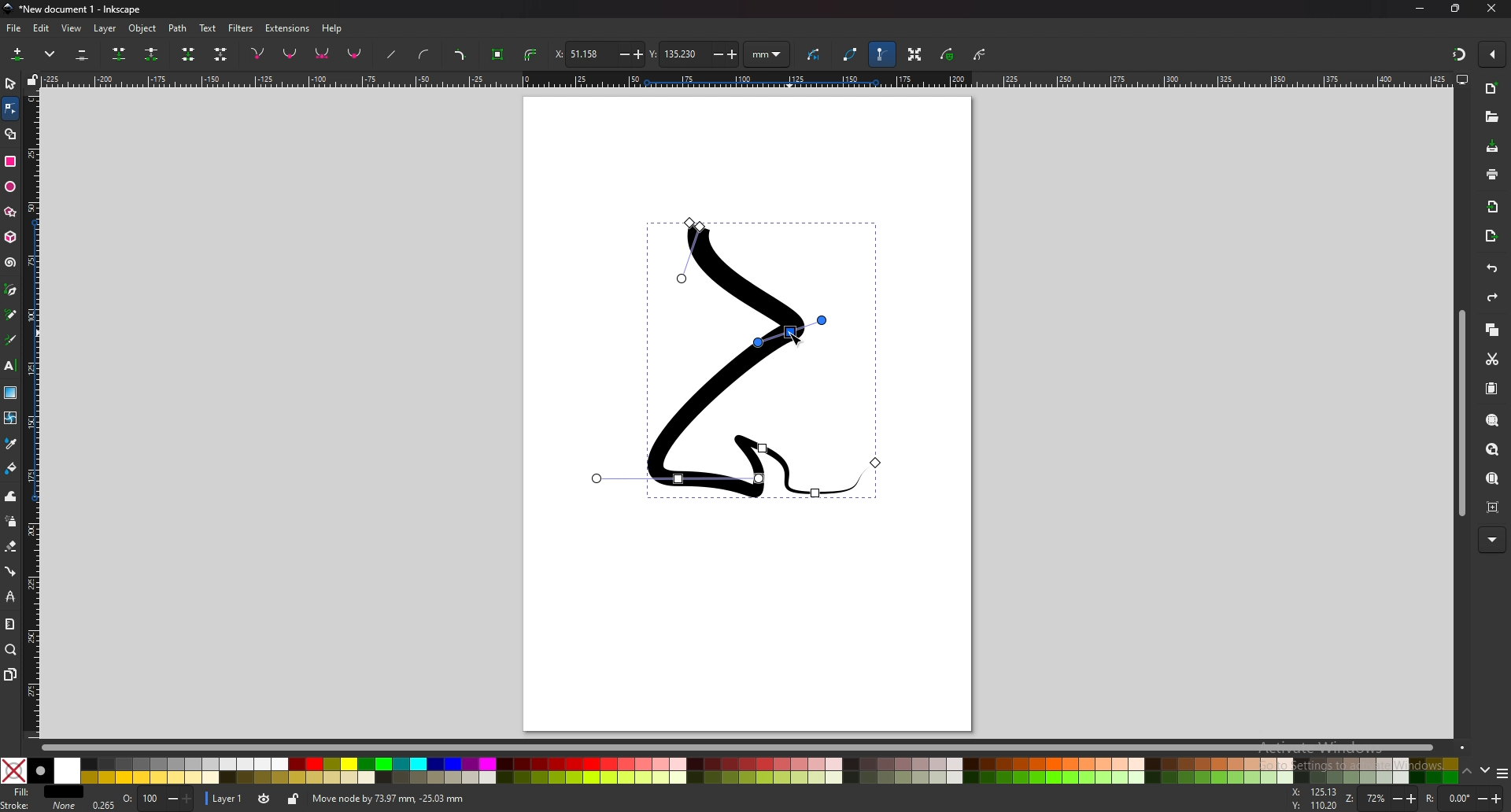 Image resolution: width=1511 pixels, height=812 pixels. I want to click on scroll bar, so click(738, 748).